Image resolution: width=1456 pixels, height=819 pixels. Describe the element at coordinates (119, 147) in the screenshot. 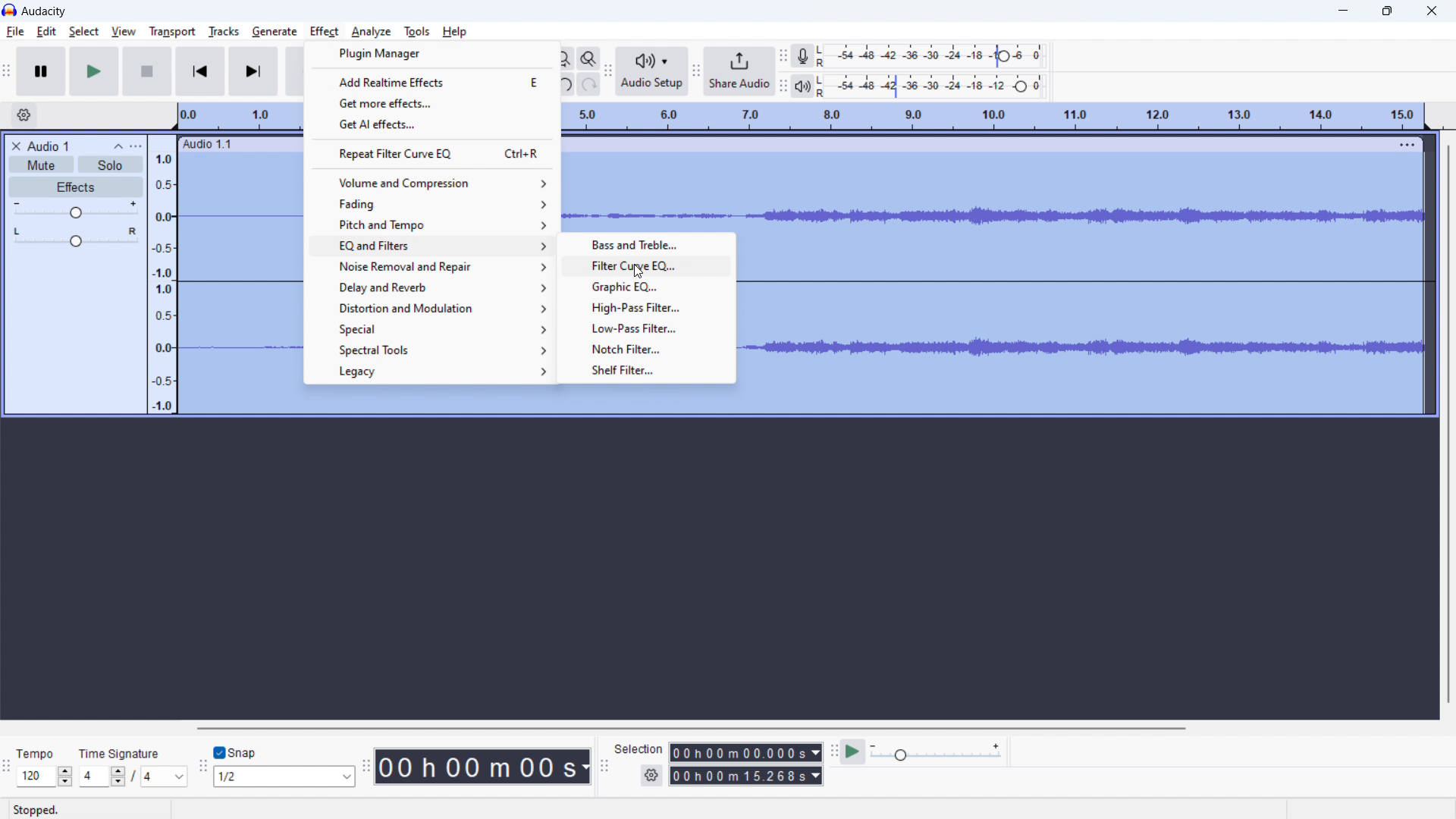

I see `collapse` at that location.